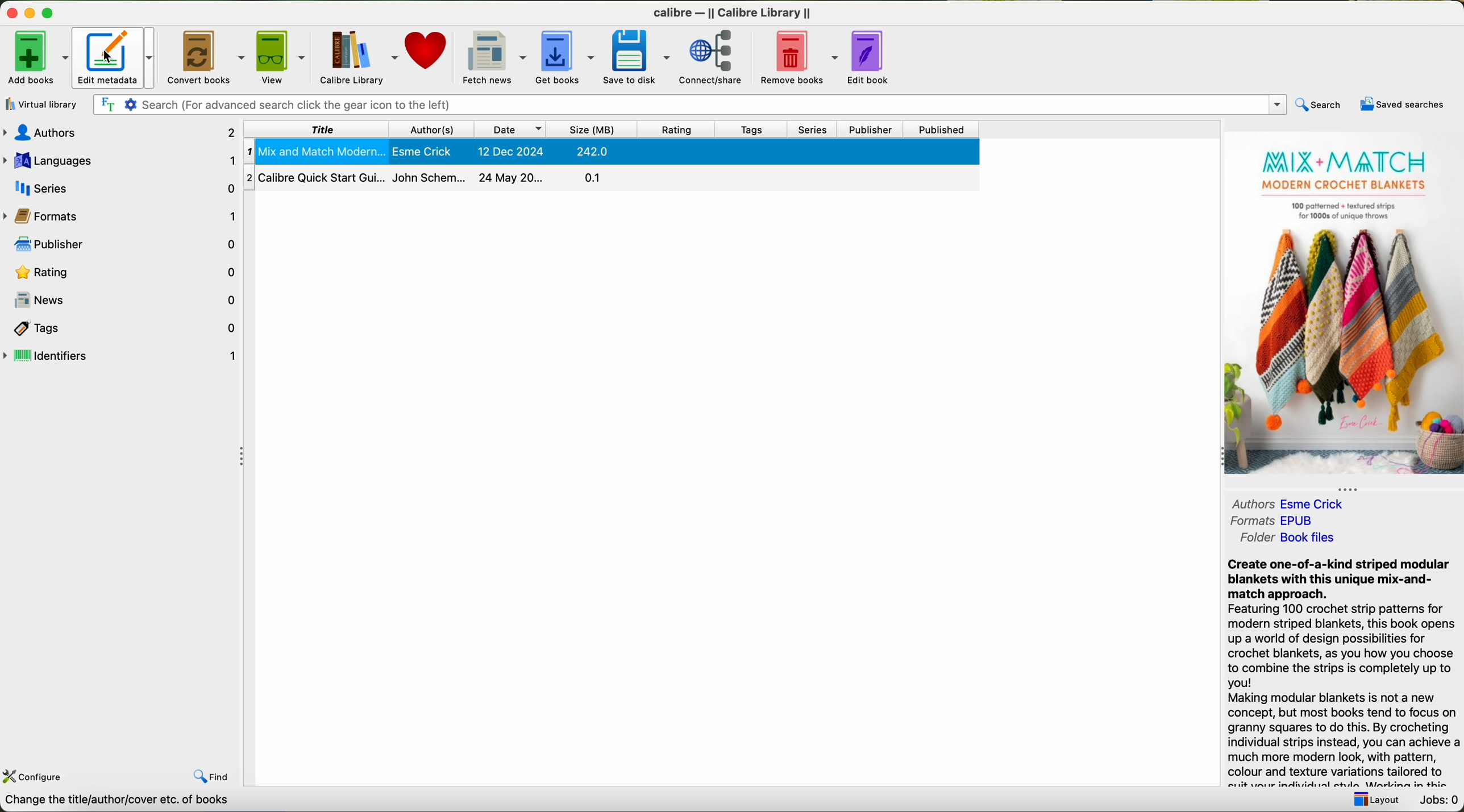  Describe the element at coordinates (1274, 521) in the screenshot. I see `formats` at that location.